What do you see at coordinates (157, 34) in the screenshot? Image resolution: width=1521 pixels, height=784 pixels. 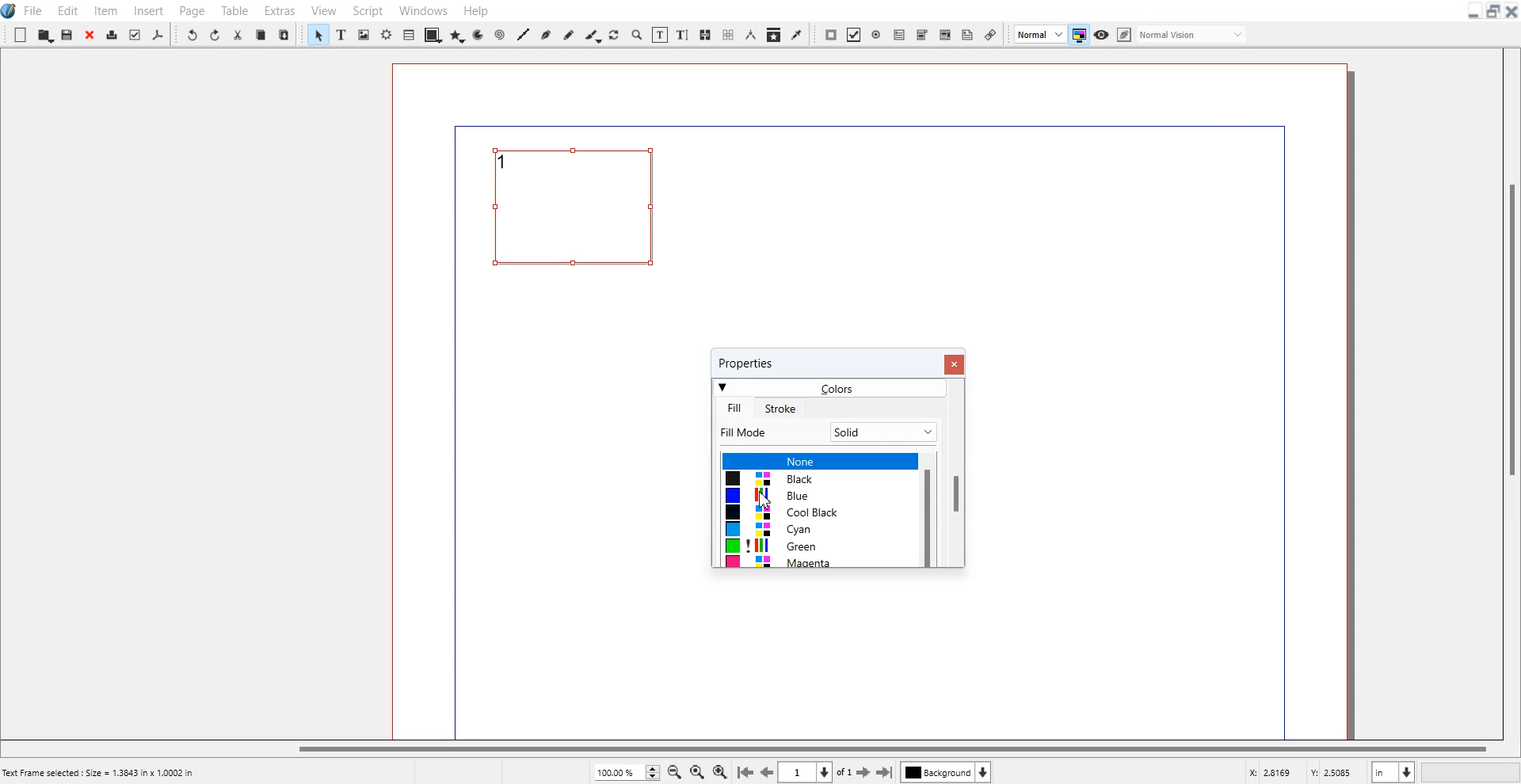 I see `Save as PDF` at bounding box center [157, 34].